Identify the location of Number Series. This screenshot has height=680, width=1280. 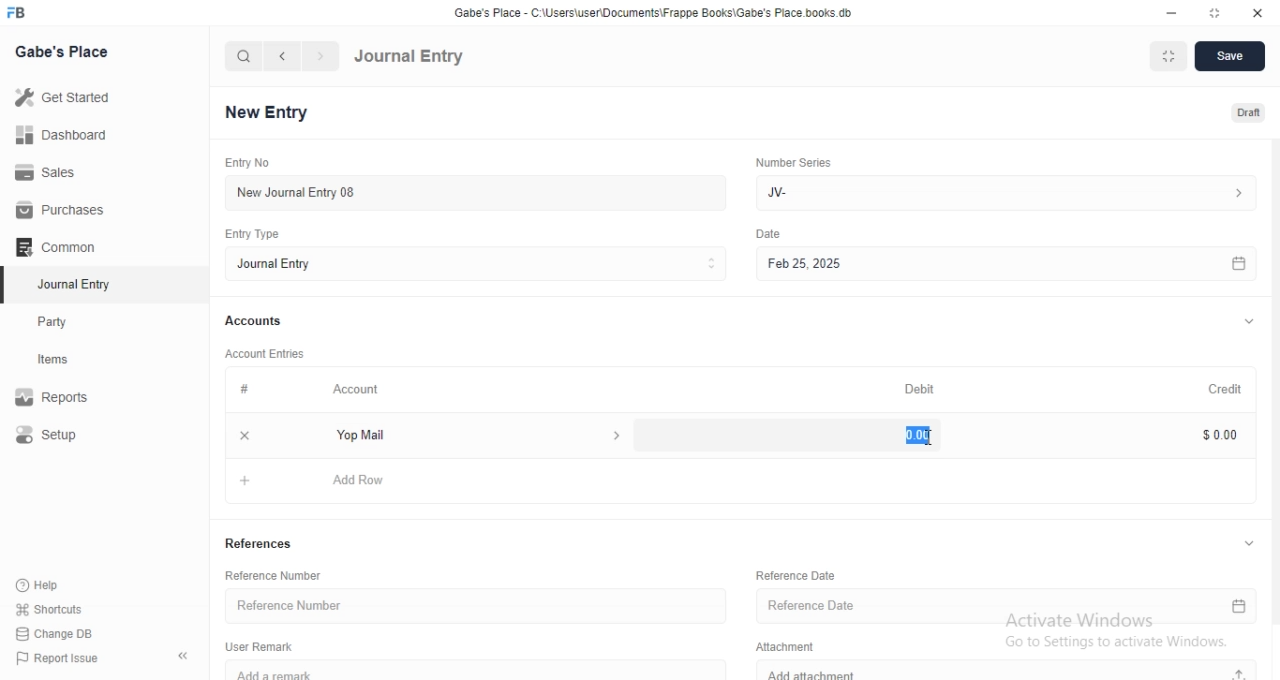
(793, 164).